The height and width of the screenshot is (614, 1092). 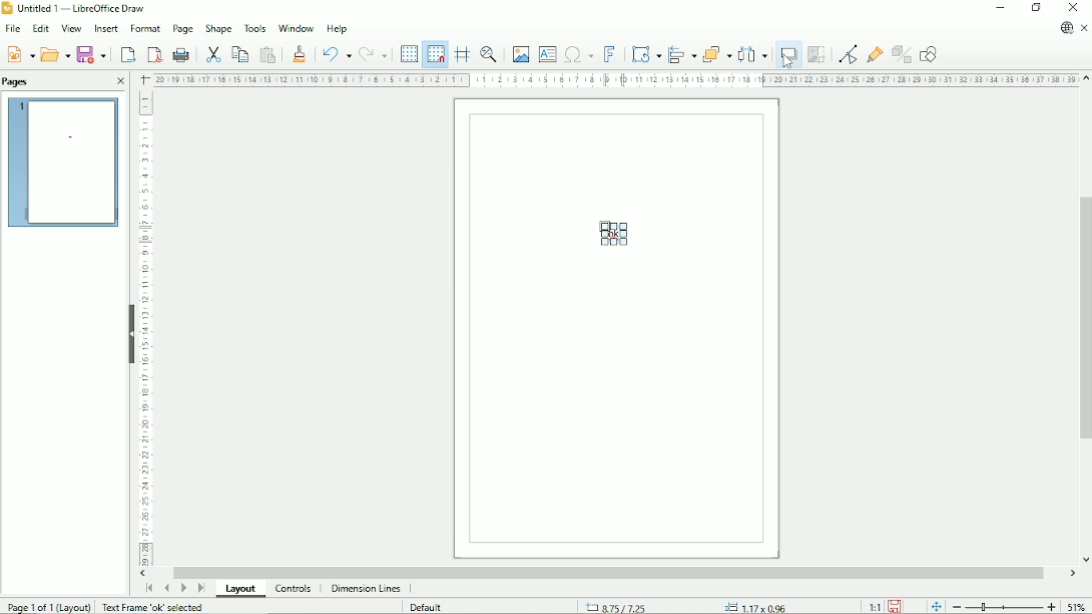 What do you see at coordinates (1066, 27) in the screenshot?
I see `Update available` at bounding box center [1066, 27].